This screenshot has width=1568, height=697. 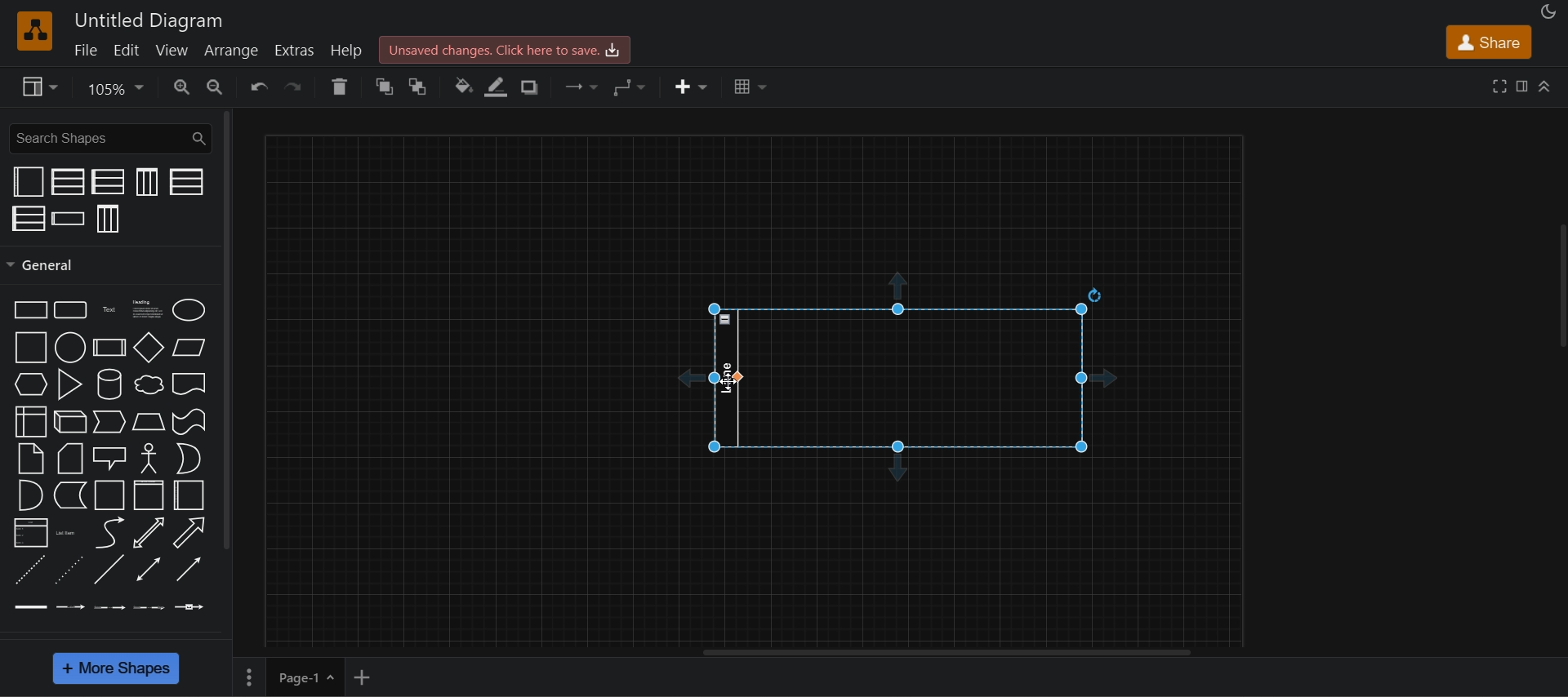 I want to click on step, so click(x=109, y=422).